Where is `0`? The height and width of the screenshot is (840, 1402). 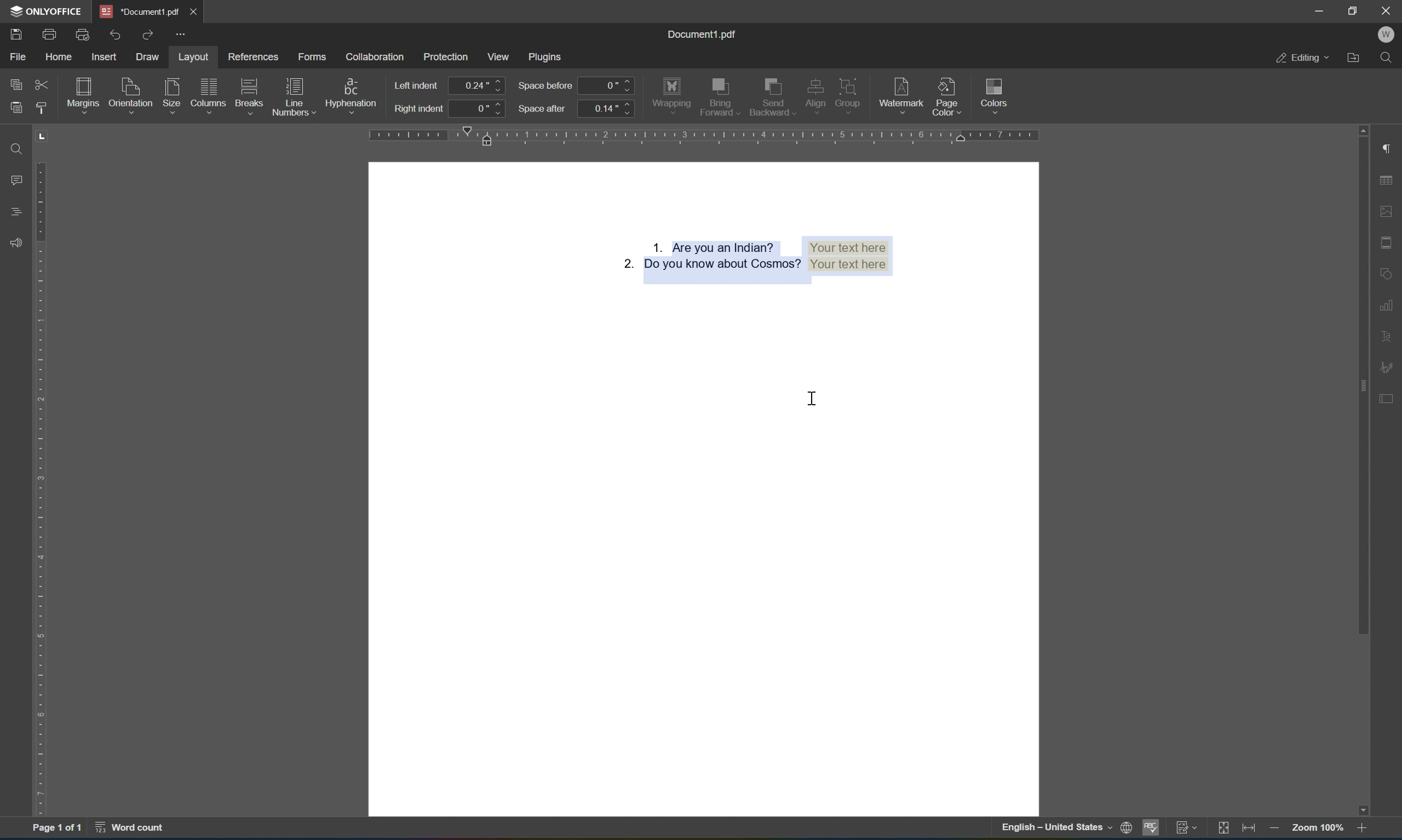
0 is located at coordinates (607, 84).